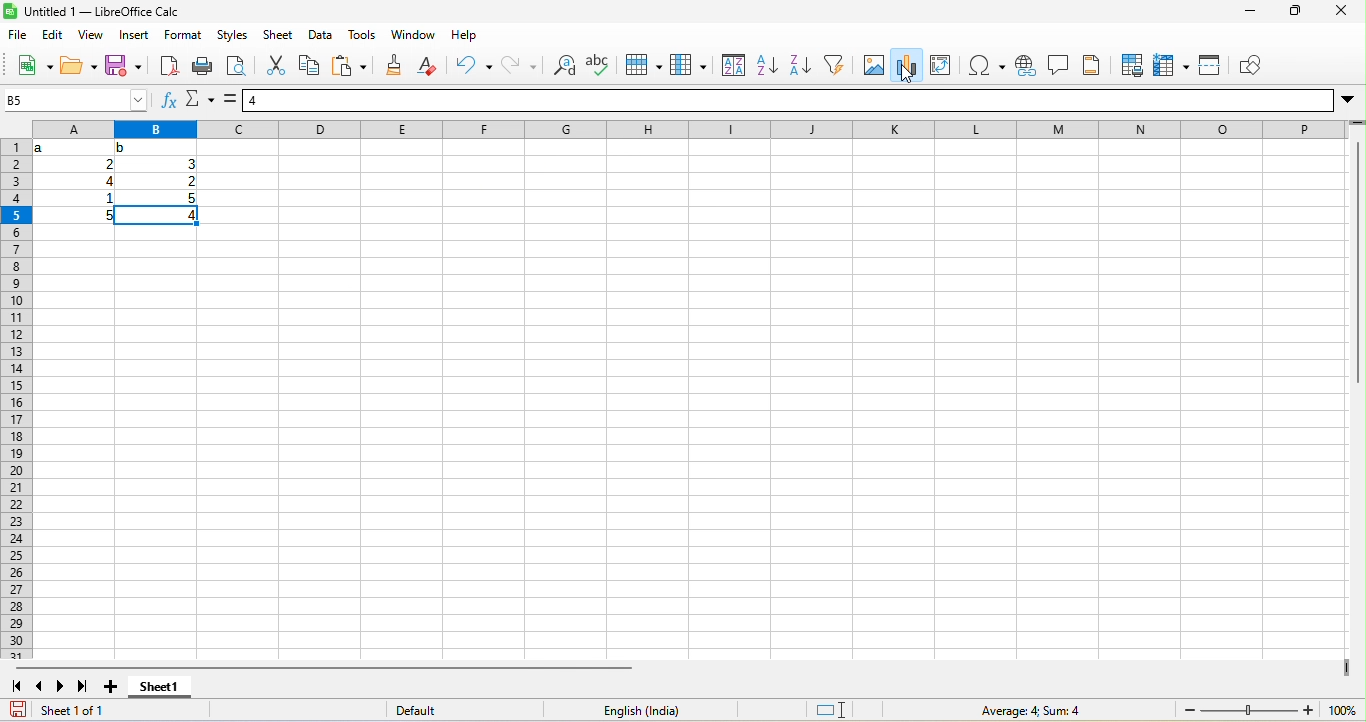  What do you see at coordinates (189, 164) in the screenshot?
I see `3` at bounding box center [189, 164].